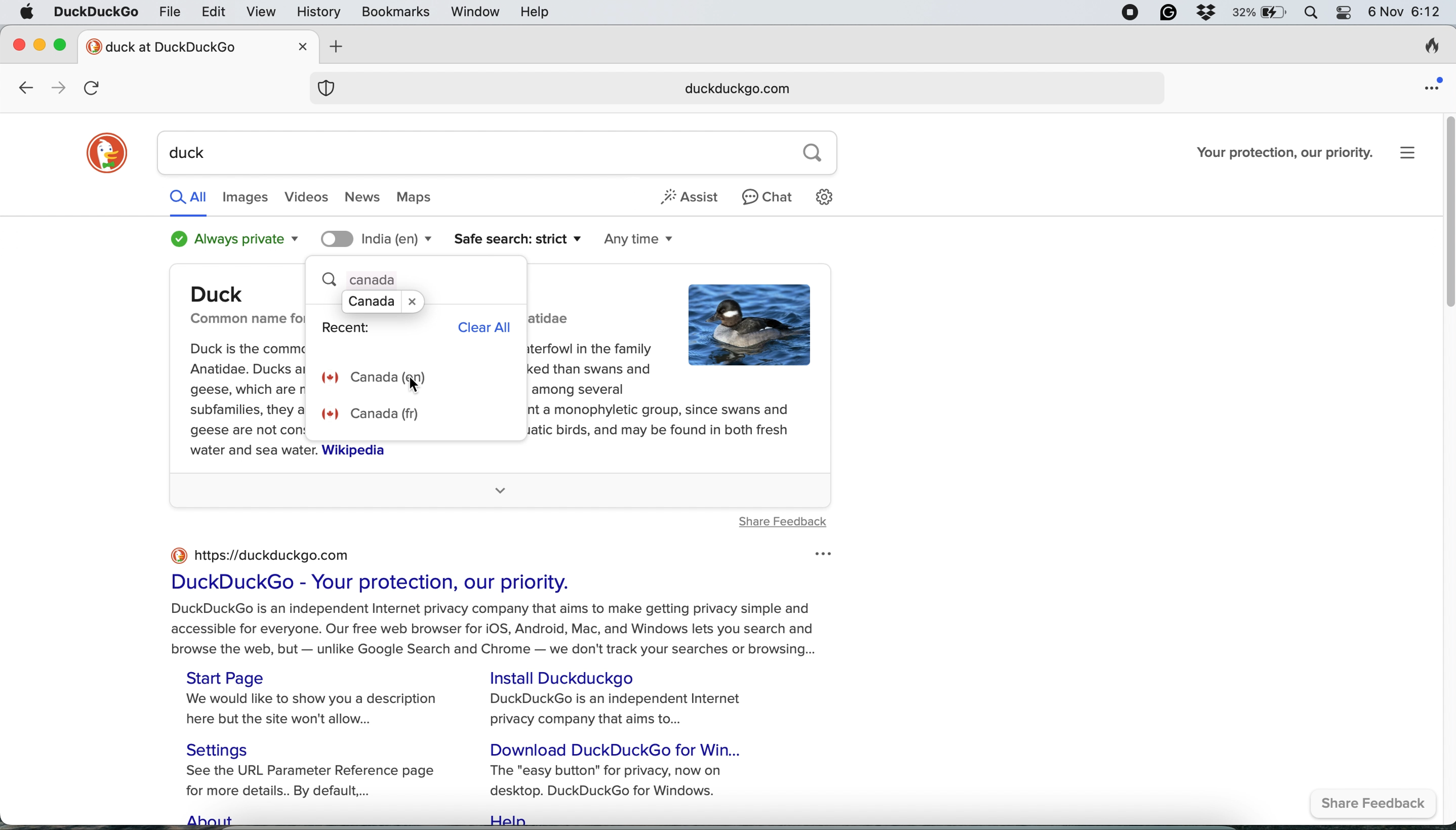  Describe the element at coordinates (415, 384) in the screenshot. I see `cursor` at that location.